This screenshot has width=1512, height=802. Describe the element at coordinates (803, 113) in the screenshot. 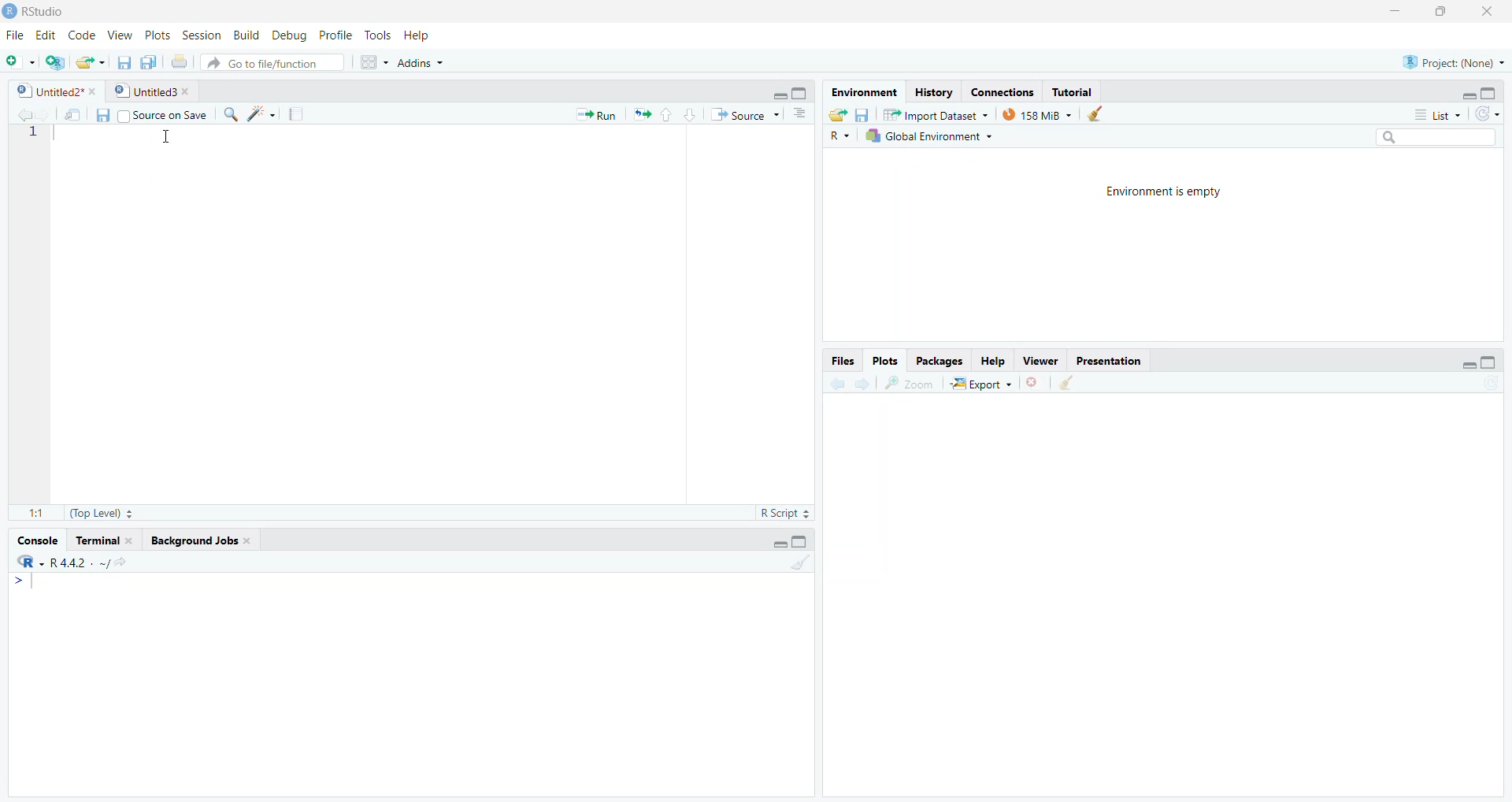

I see `Show document outline` at that location.